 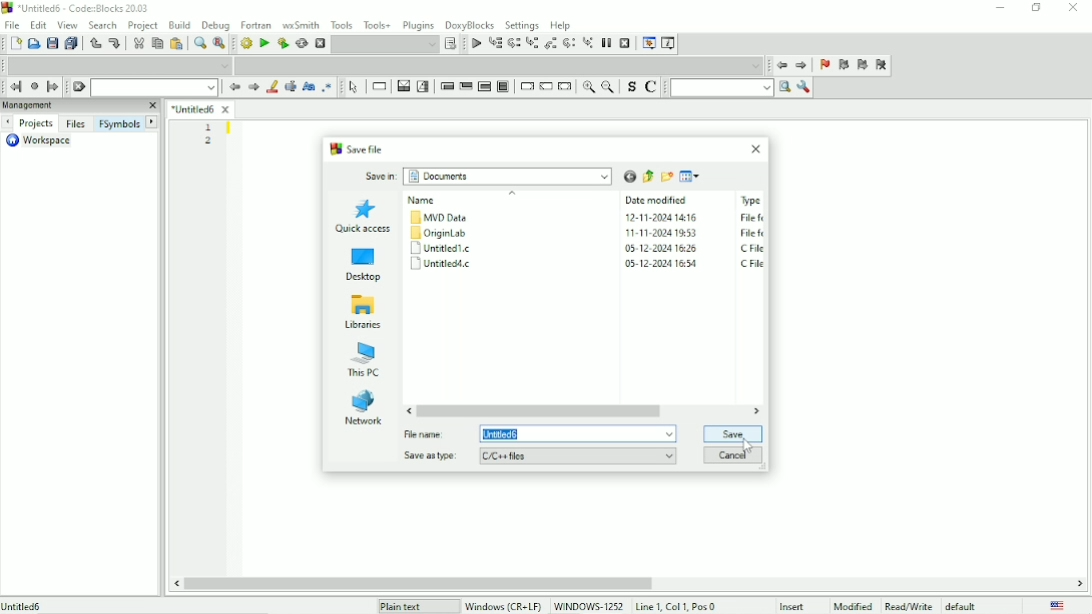 I want to click on Redo, so click(x=115, y=43).